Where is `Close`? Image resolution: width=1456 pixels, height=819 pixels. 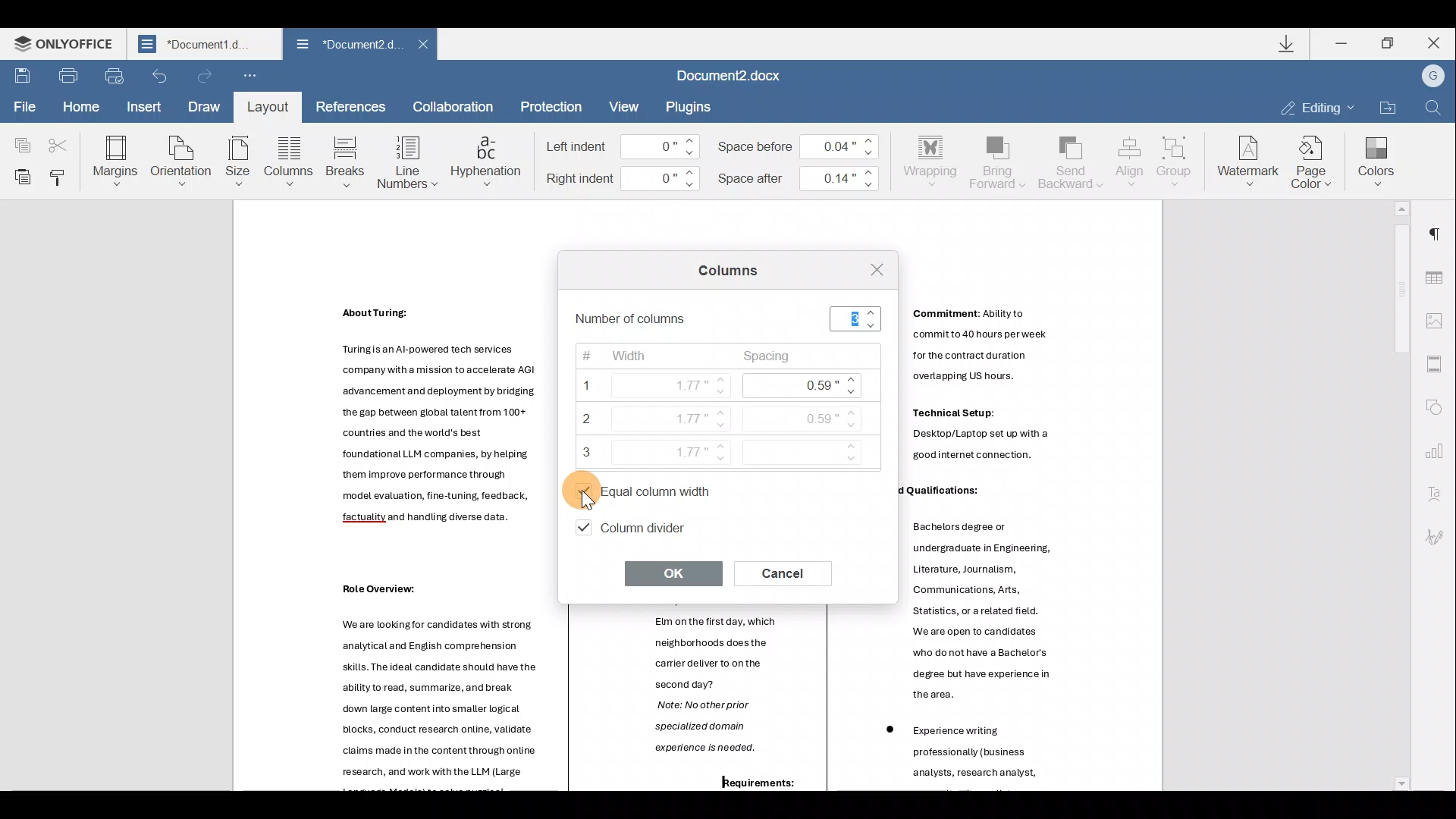 Close is located at coordinates (870, 268).